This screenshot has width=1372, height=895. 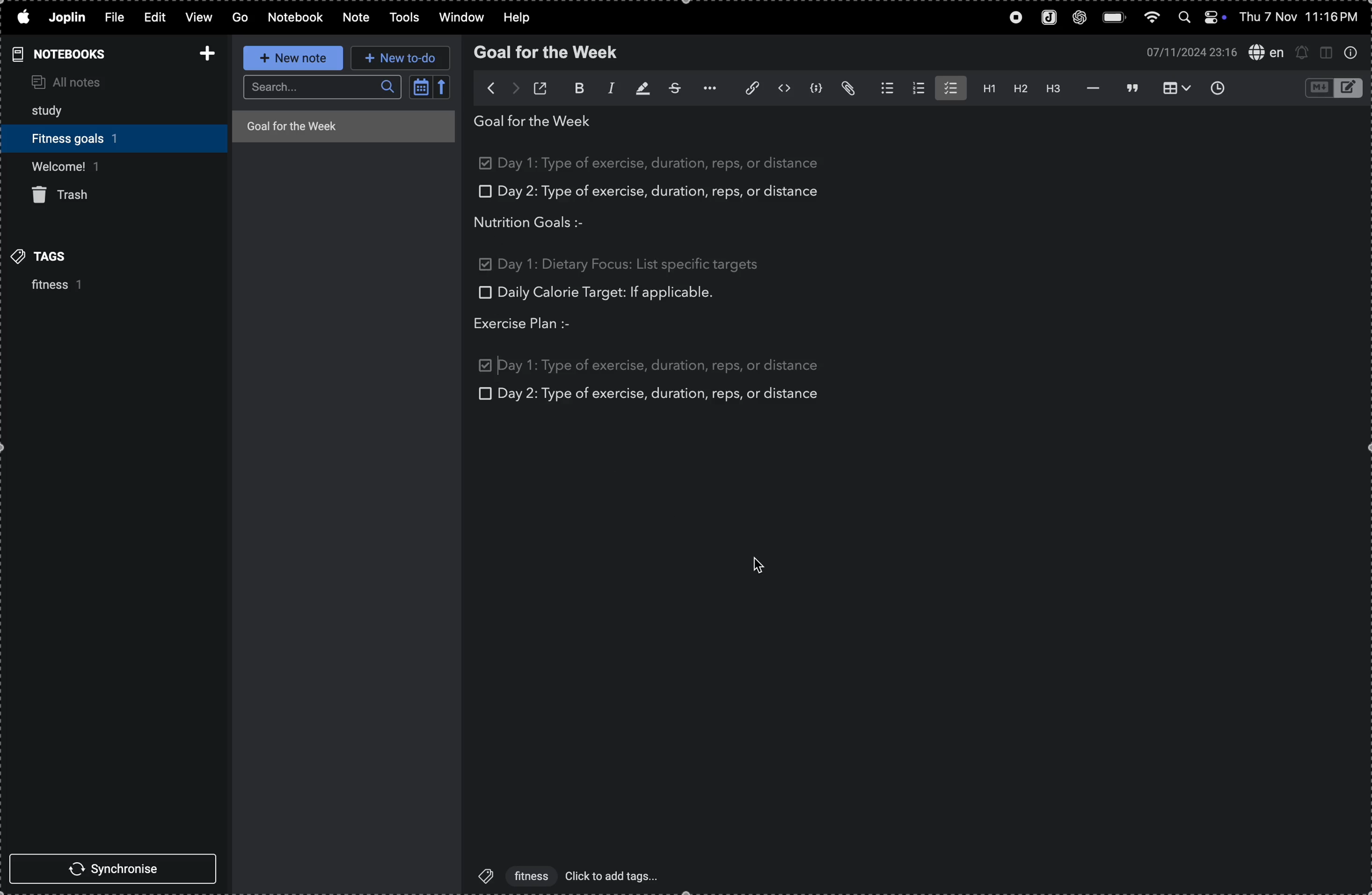 What do you see at coordinates (638, 89) in the screenshot?
I see `highlight` at bounding box center [638, 89].